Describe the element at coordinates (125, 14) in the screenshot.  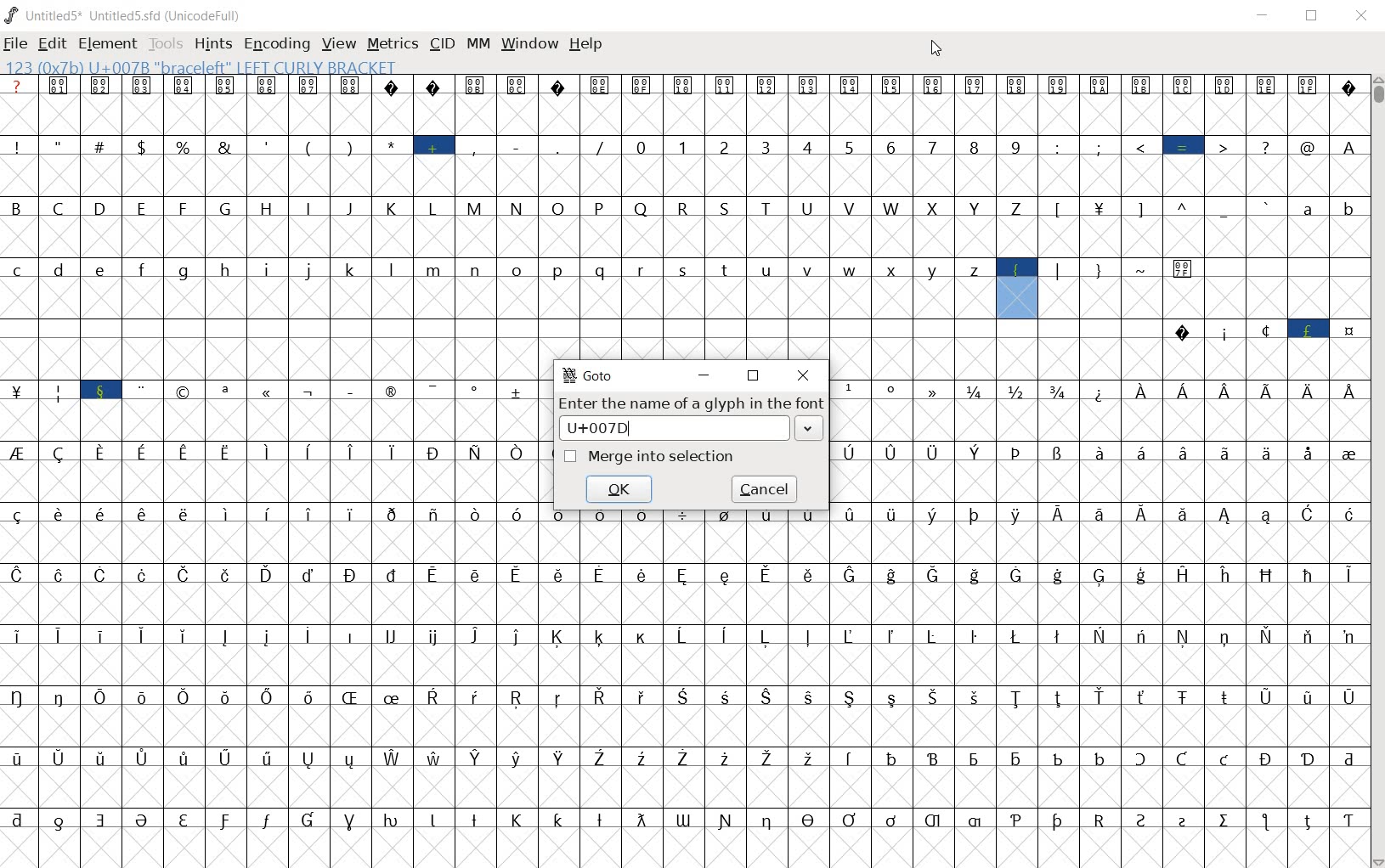
I see `Untitled5* Untitled5.sfd (UnicodeFull)` at that location.